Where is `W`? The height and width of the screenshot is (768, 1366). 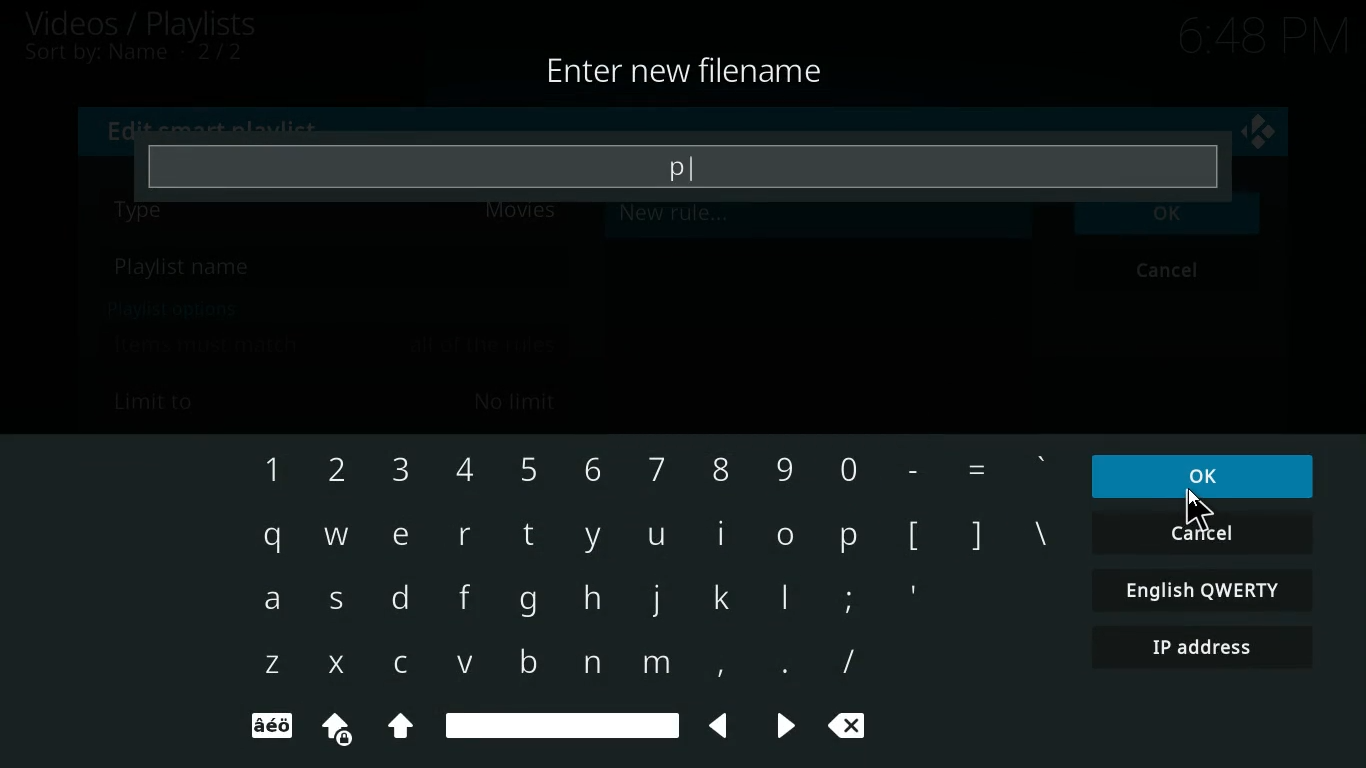
W is located at coordinates (334, 534).